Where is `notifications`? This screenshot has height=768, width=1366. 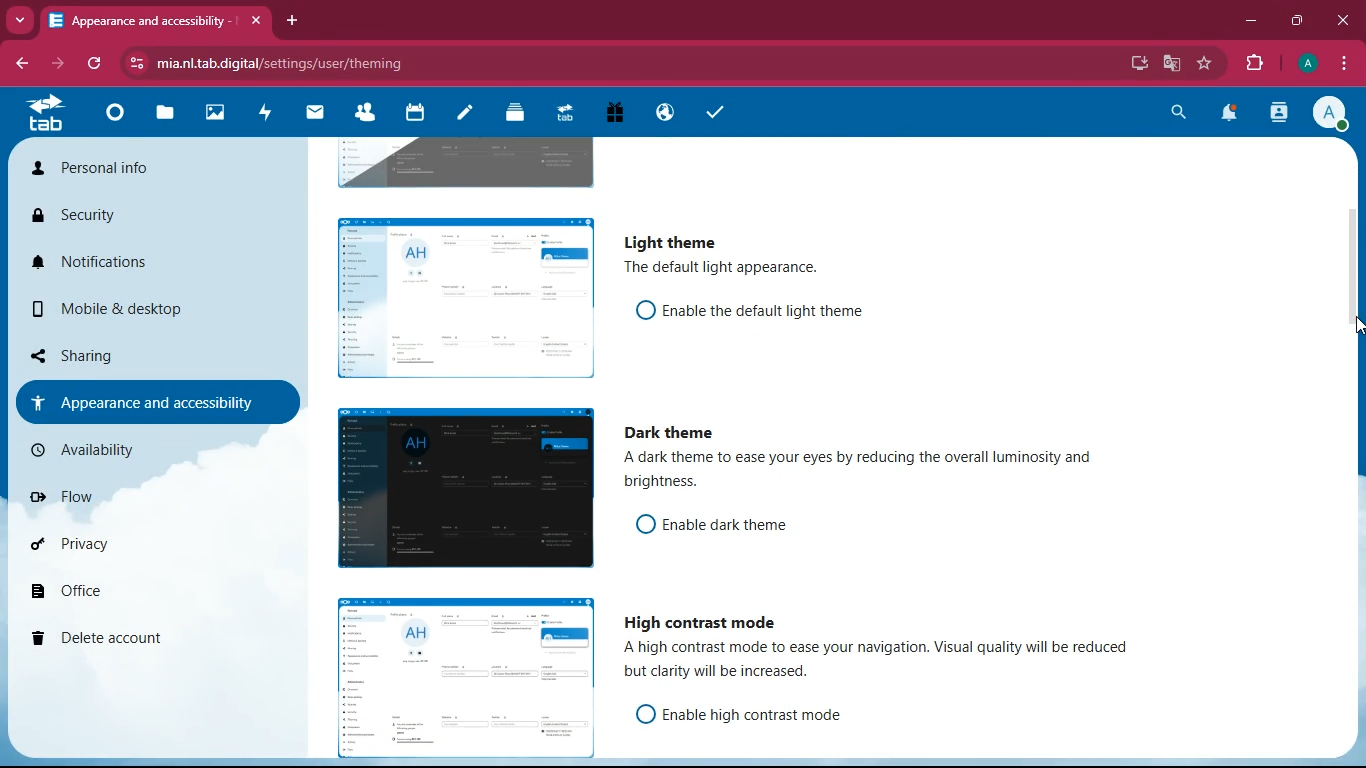 notifications is located at coordinates (1234, 115).